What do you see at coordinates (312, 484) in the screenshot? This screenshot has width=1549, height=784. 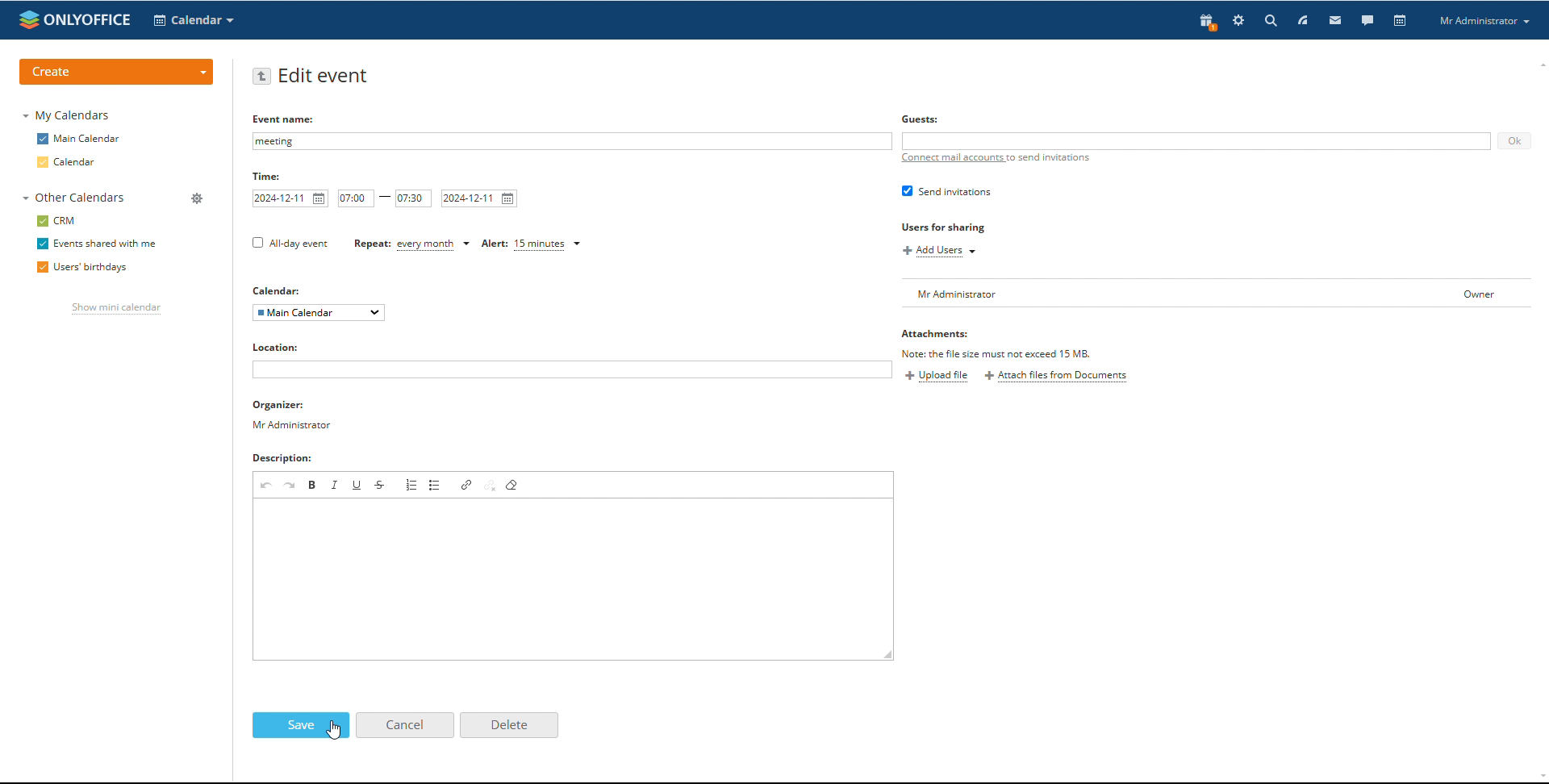 I see `bold` at bounding box center [312, 484].